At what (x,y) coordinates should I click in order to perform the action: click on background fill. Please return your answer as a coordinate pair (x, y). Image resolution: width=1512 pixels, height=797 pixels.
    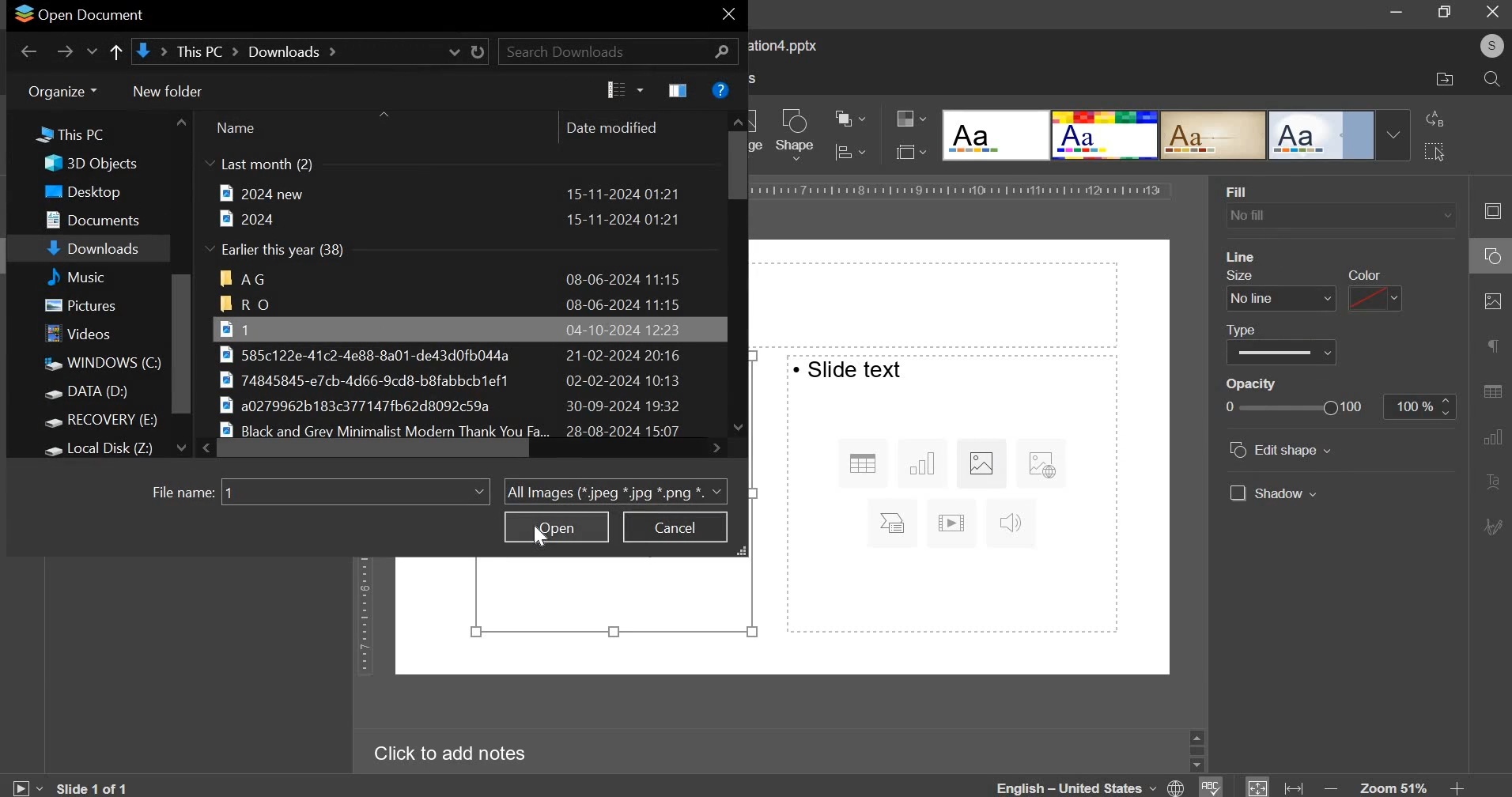
    Looking at the image, I should click on (1341, 217).